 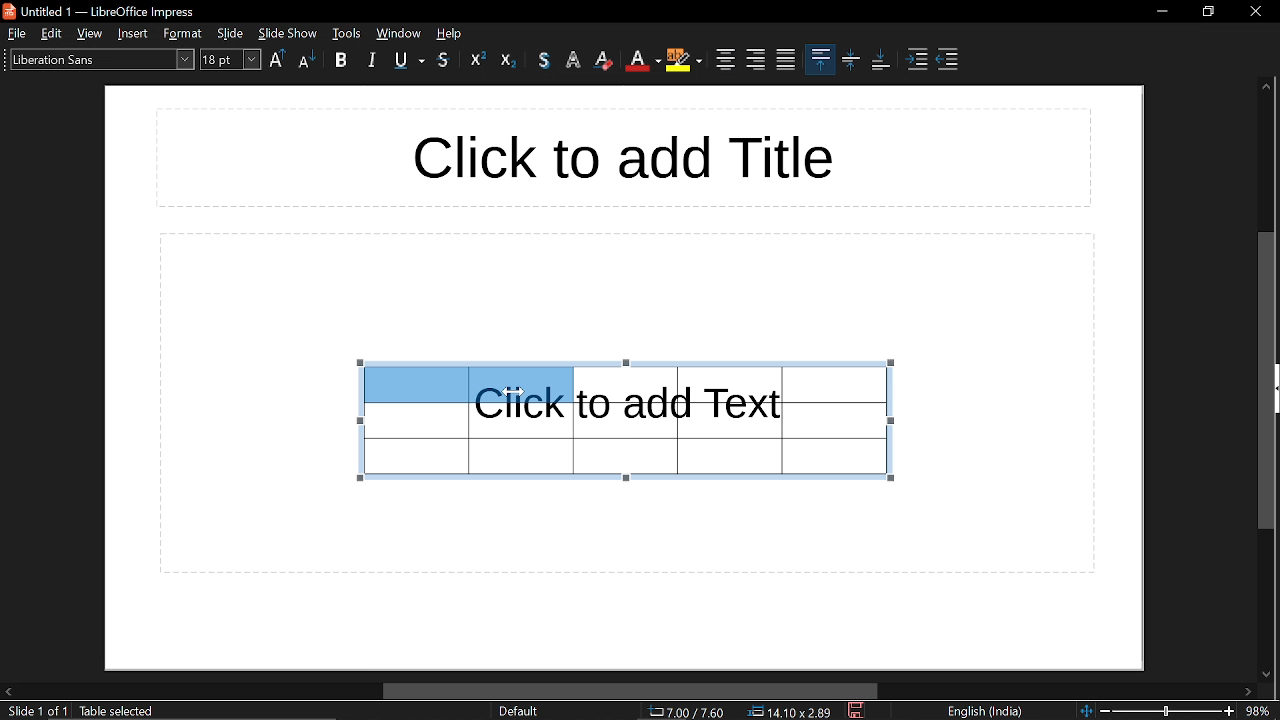 I want to click on move down, so click(x=1268, y=673).